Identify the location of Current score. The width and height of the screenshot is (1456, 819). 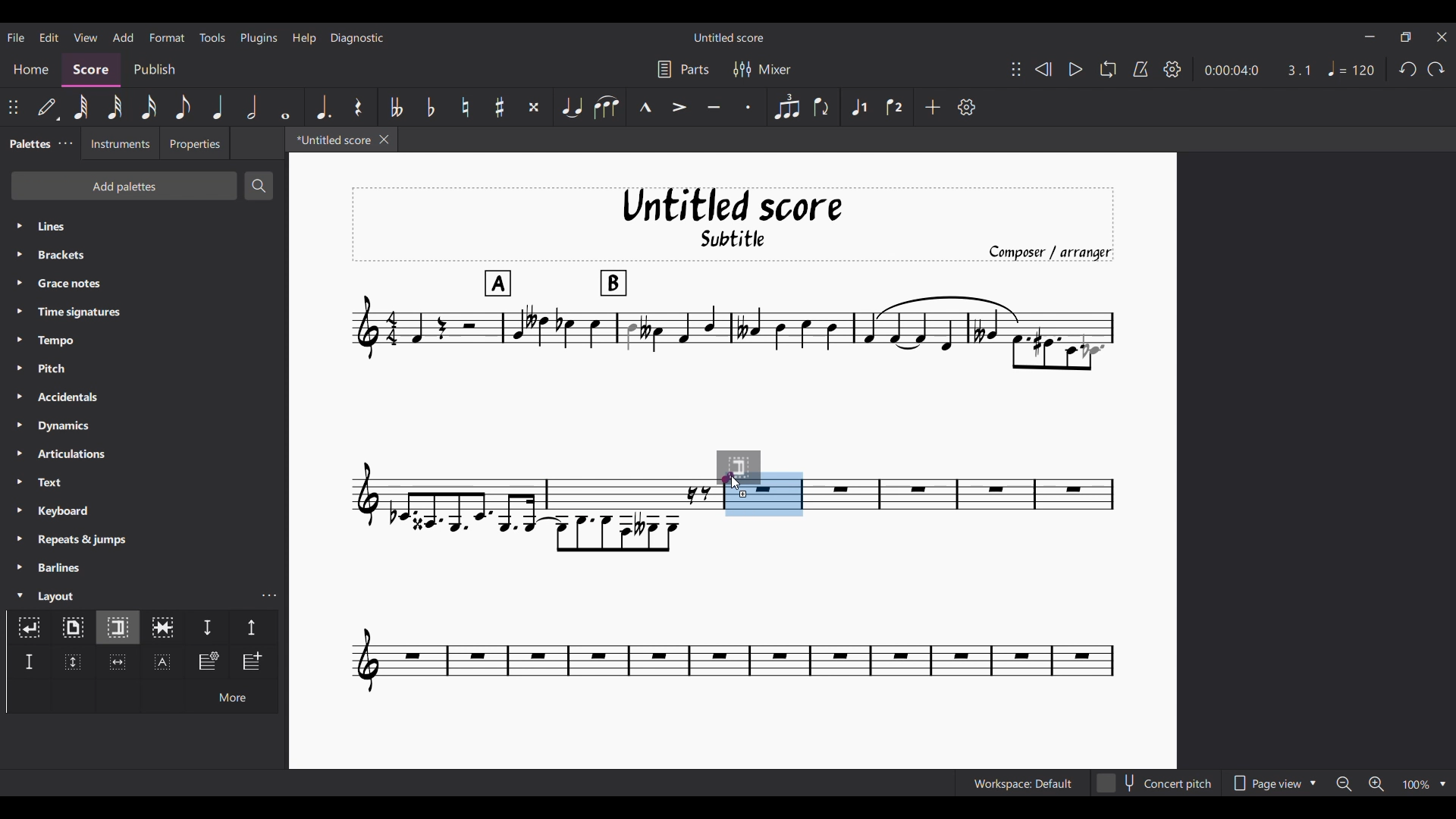
(961, 483).